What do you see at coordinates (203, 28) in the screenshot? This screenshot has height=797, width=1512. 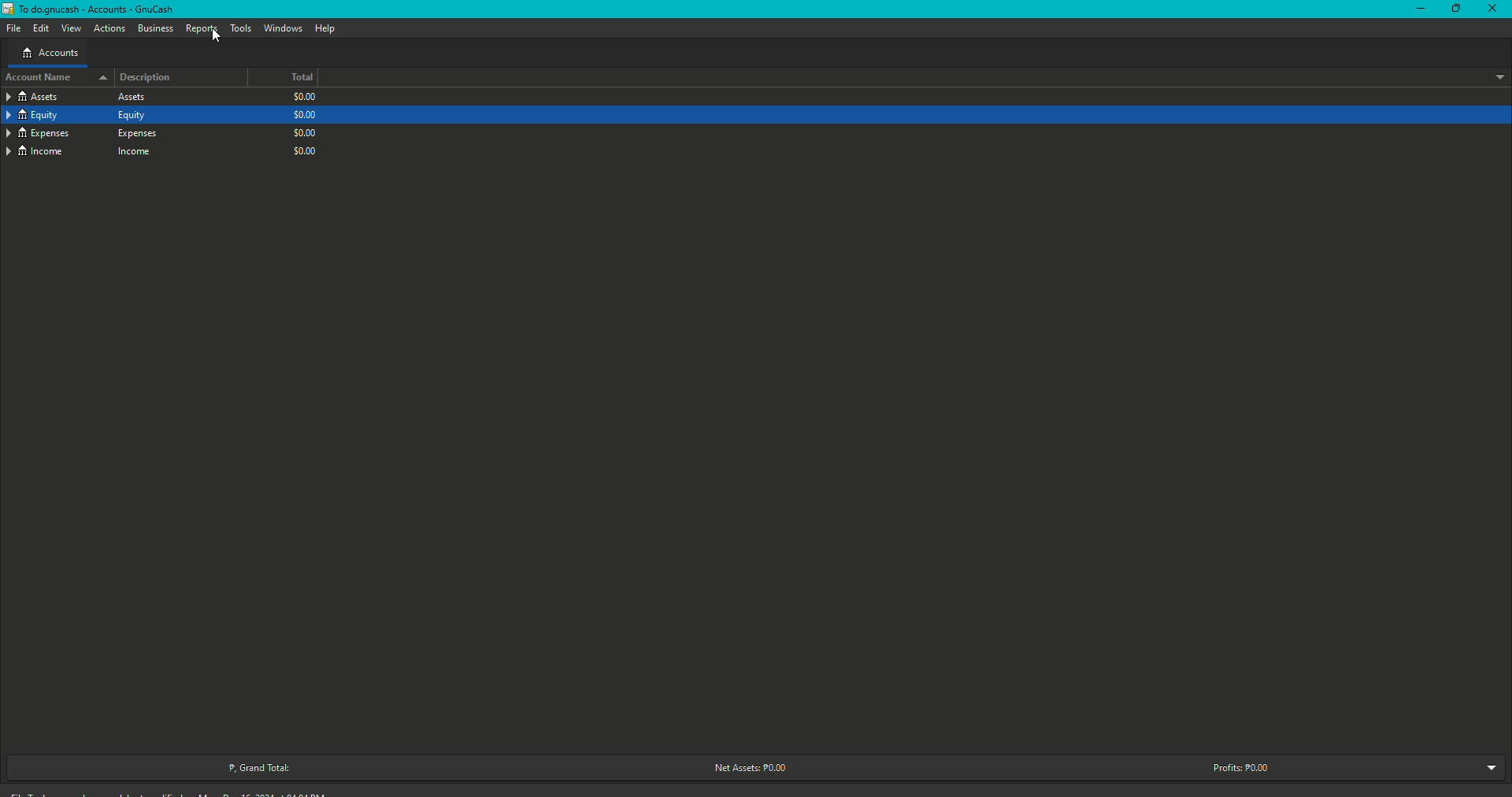 I see `Reports` at bounding box center [203, 28].